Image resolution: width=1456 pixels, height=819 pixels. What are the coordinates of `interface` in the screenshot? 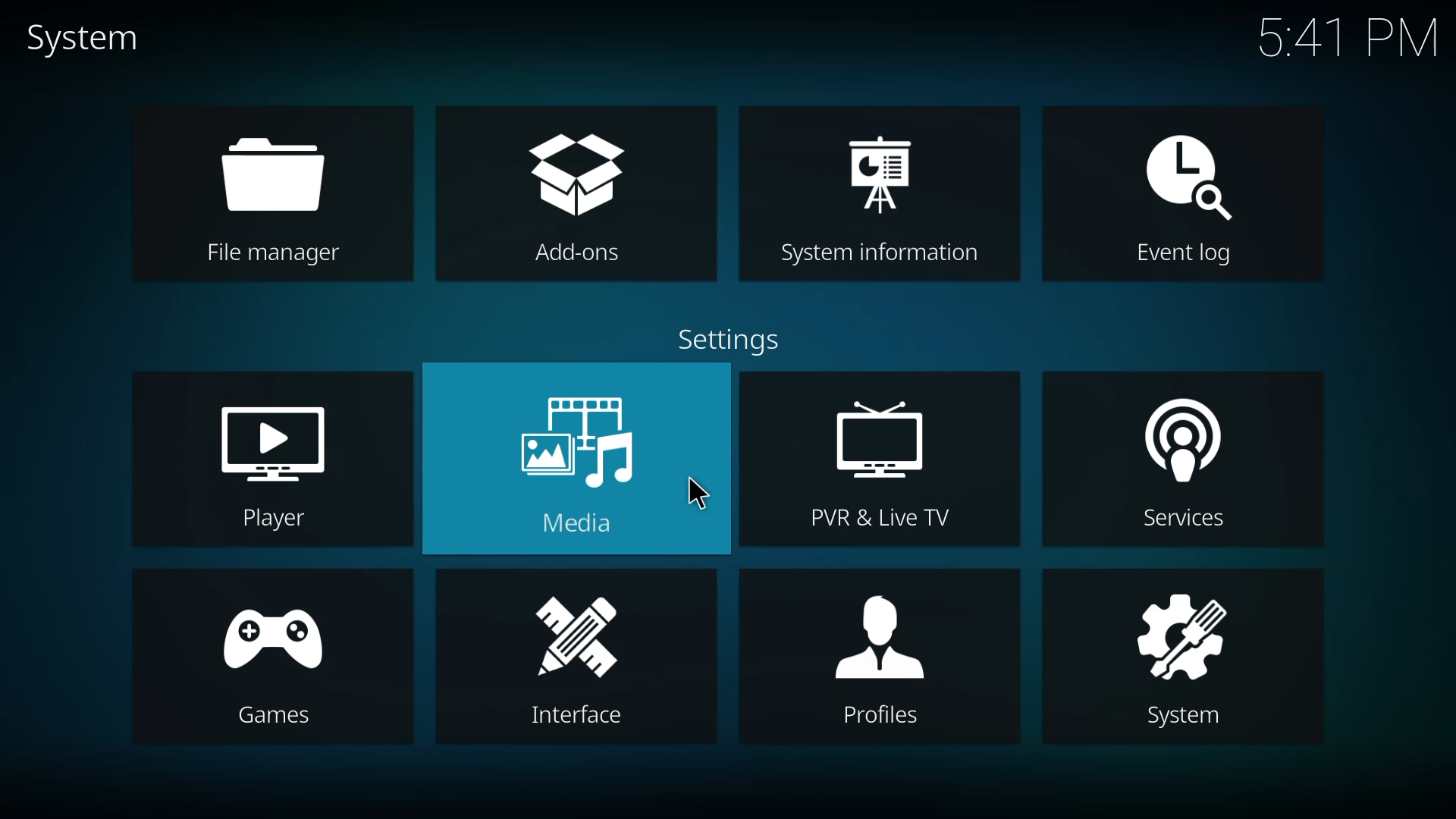 It's located at (582, 659).